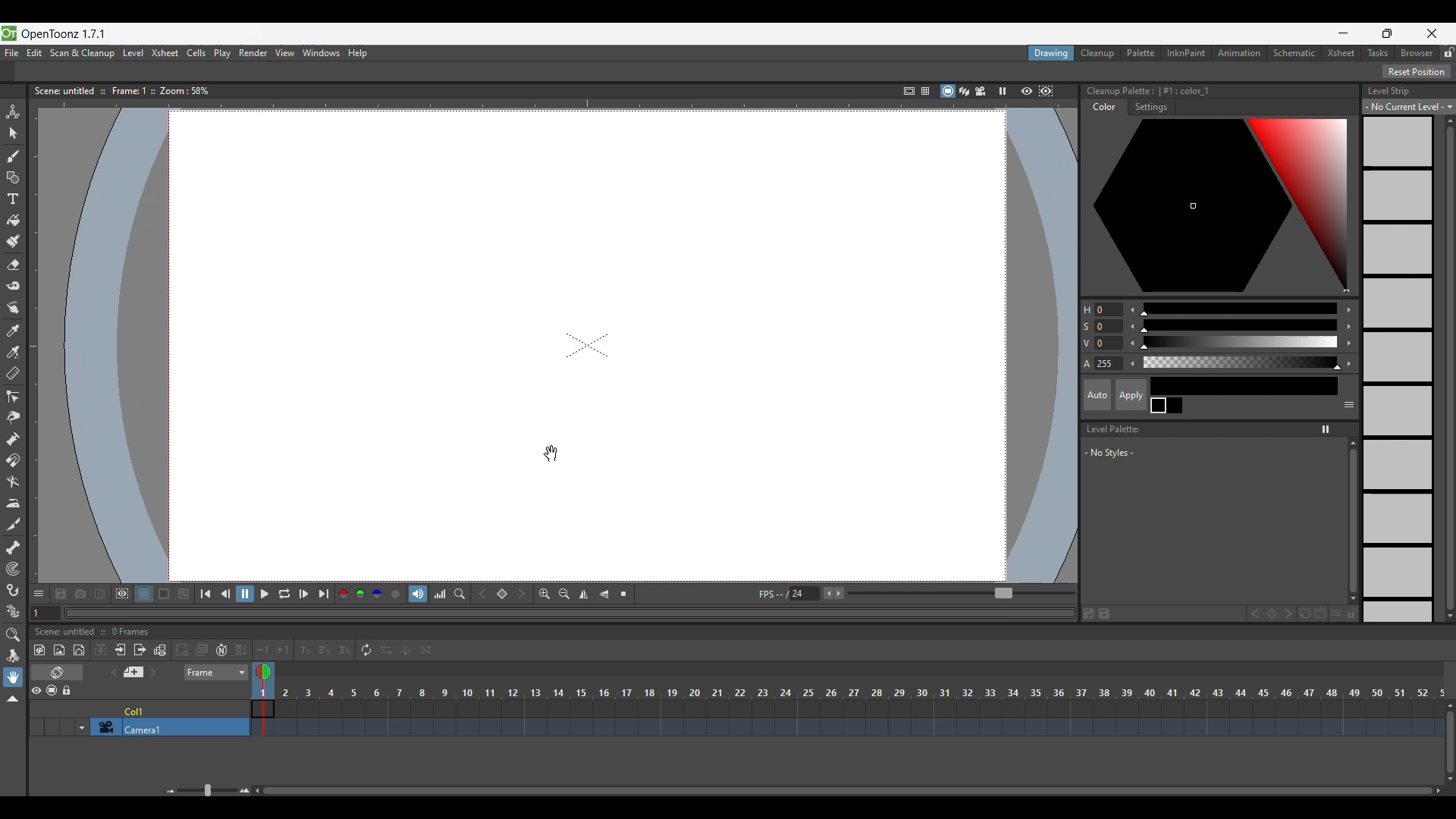  I want to click on Double click to toggle onion skin, so click(264, 672).